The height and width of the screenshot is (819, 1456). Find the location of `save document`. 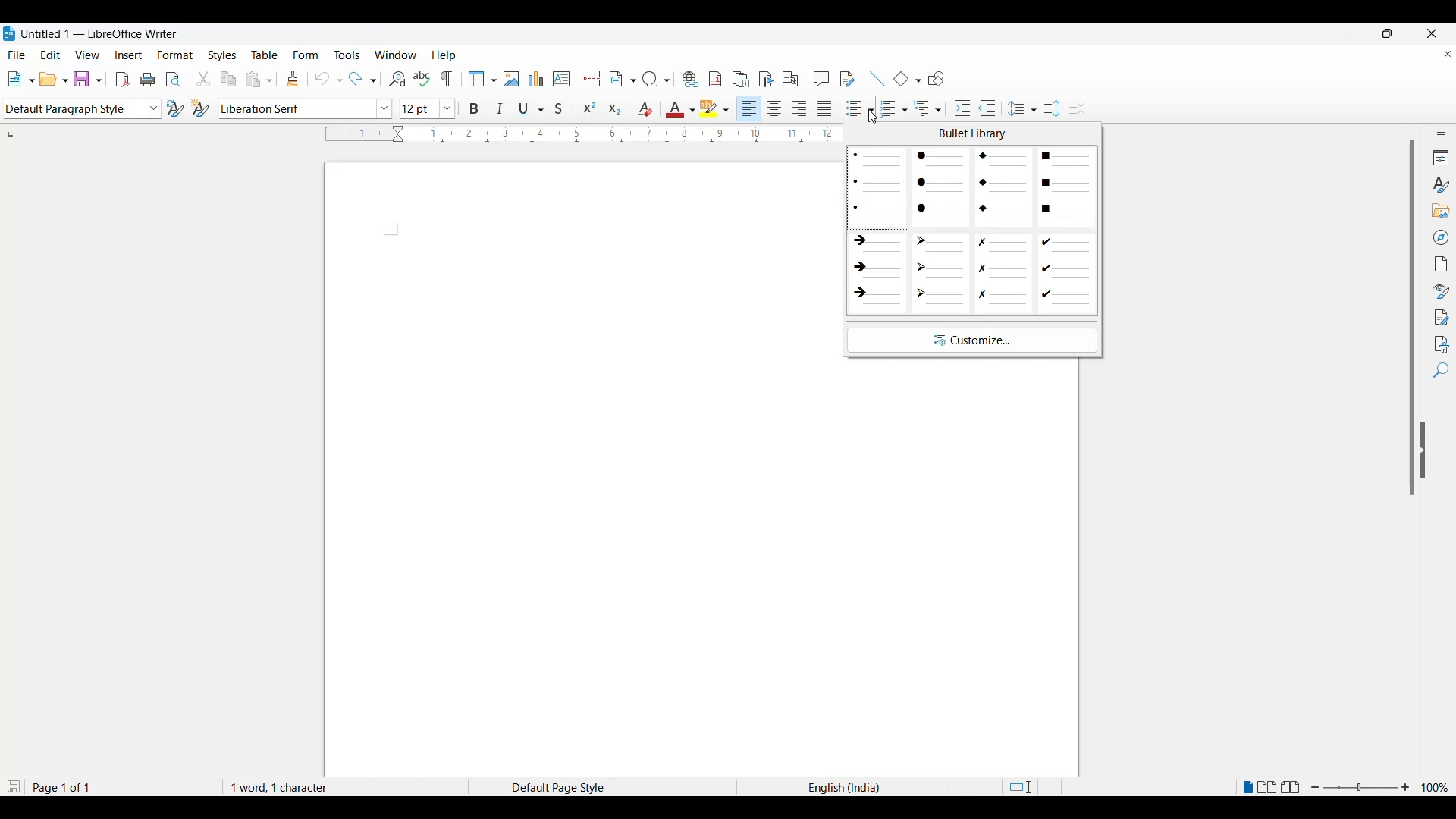

save document is located at coordinates (87, 78).